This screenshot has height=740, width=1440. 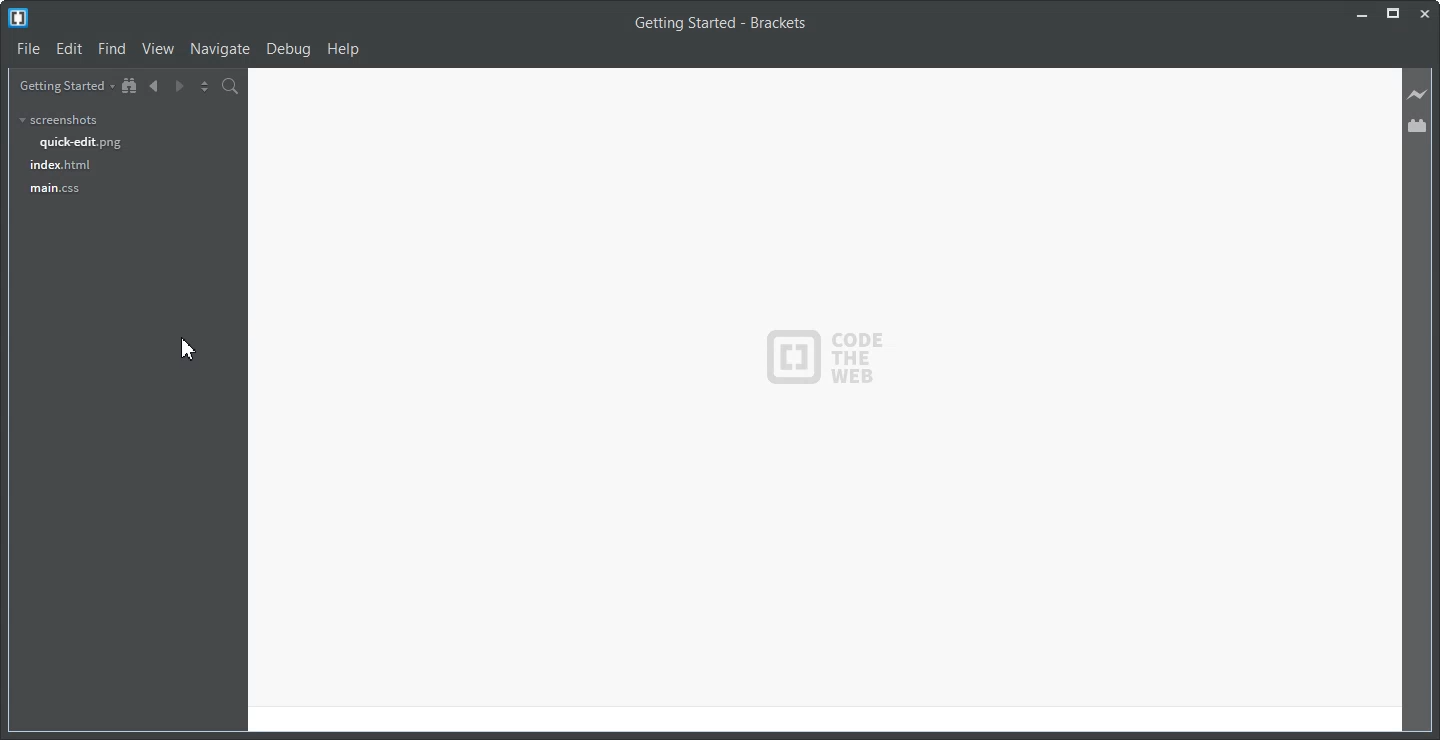 What do you see at coordinates (1364, 12) in the screenshot?
I see `Minimize` at bounding box center [1364, 12].